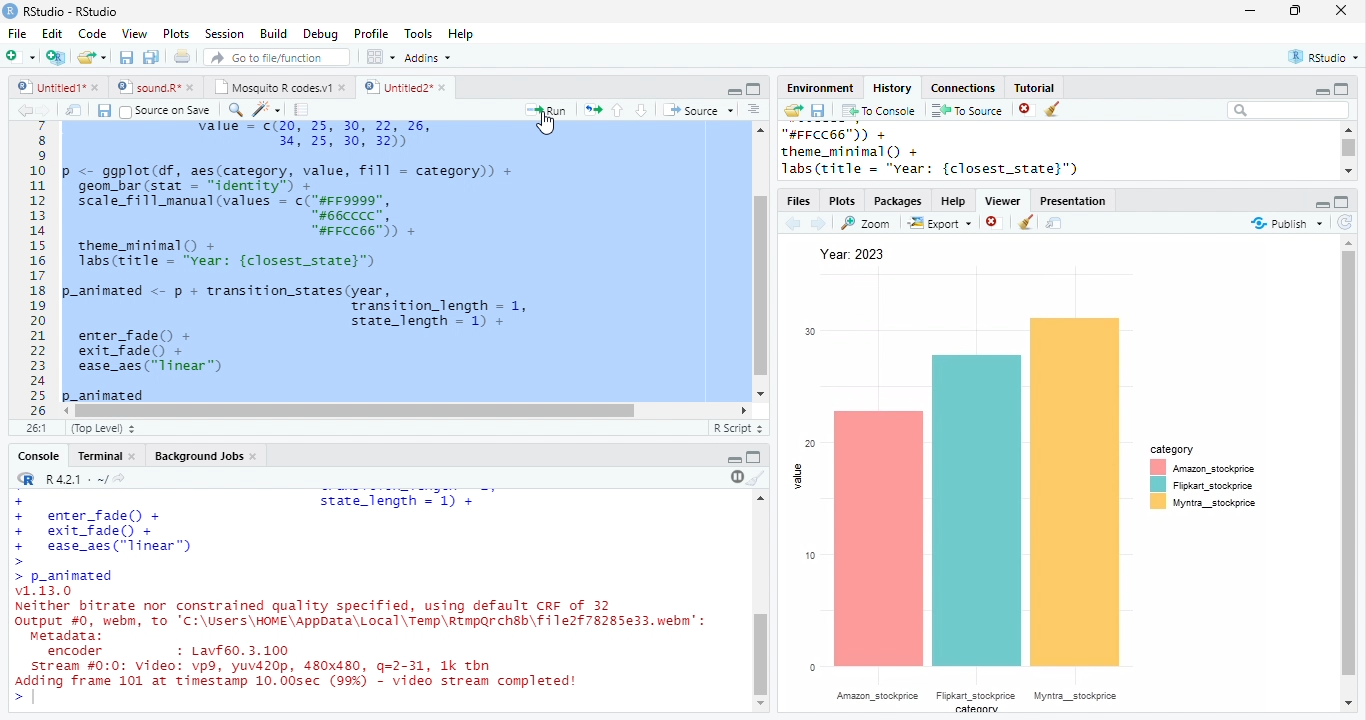  What do you see at coordinates (953, 201) in the screenshot?
I see `Help` at bounding box center [953, 201].